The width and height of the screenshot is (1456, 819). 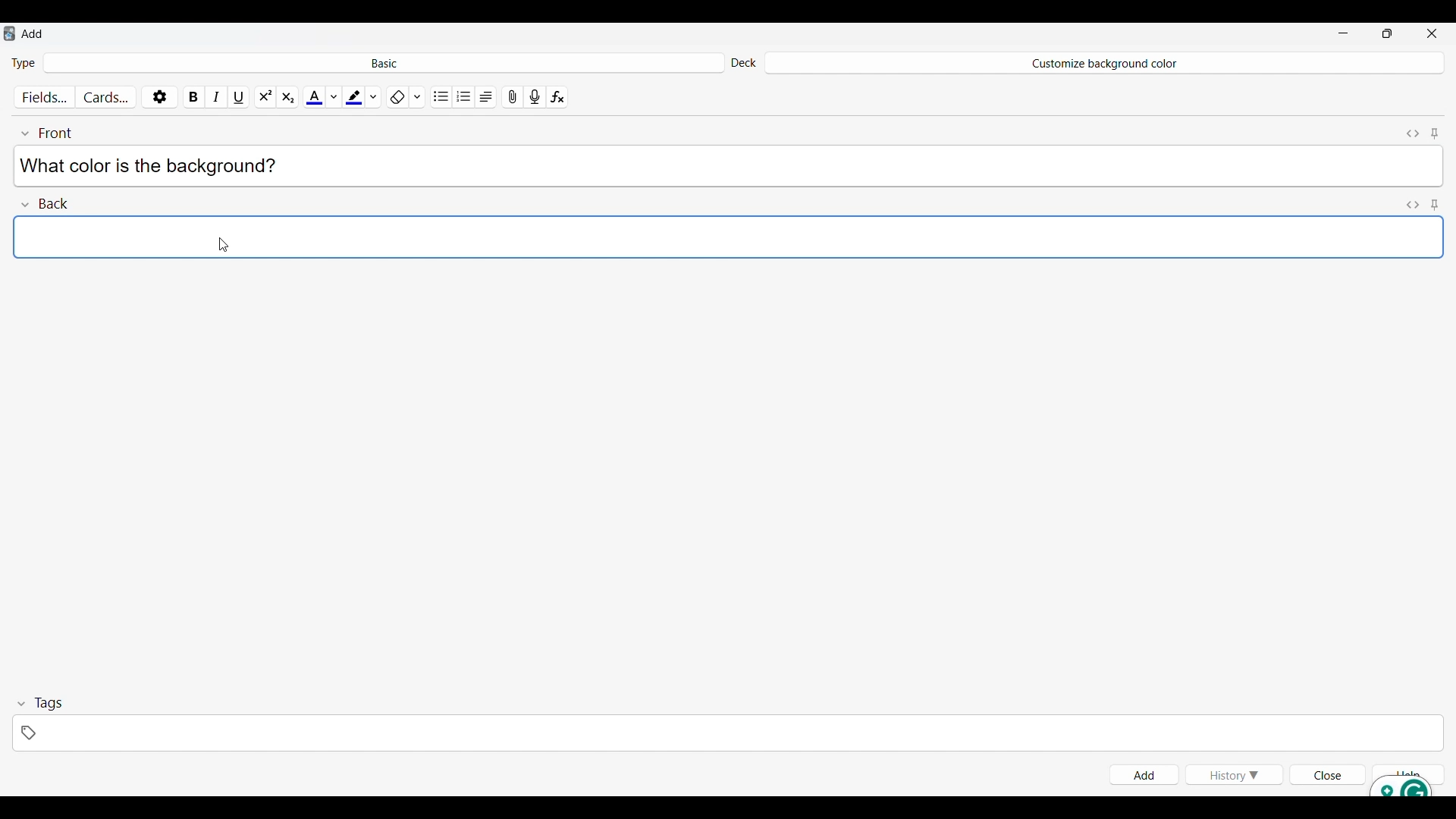 I want to click on Equations, so click(x=557, y=95).